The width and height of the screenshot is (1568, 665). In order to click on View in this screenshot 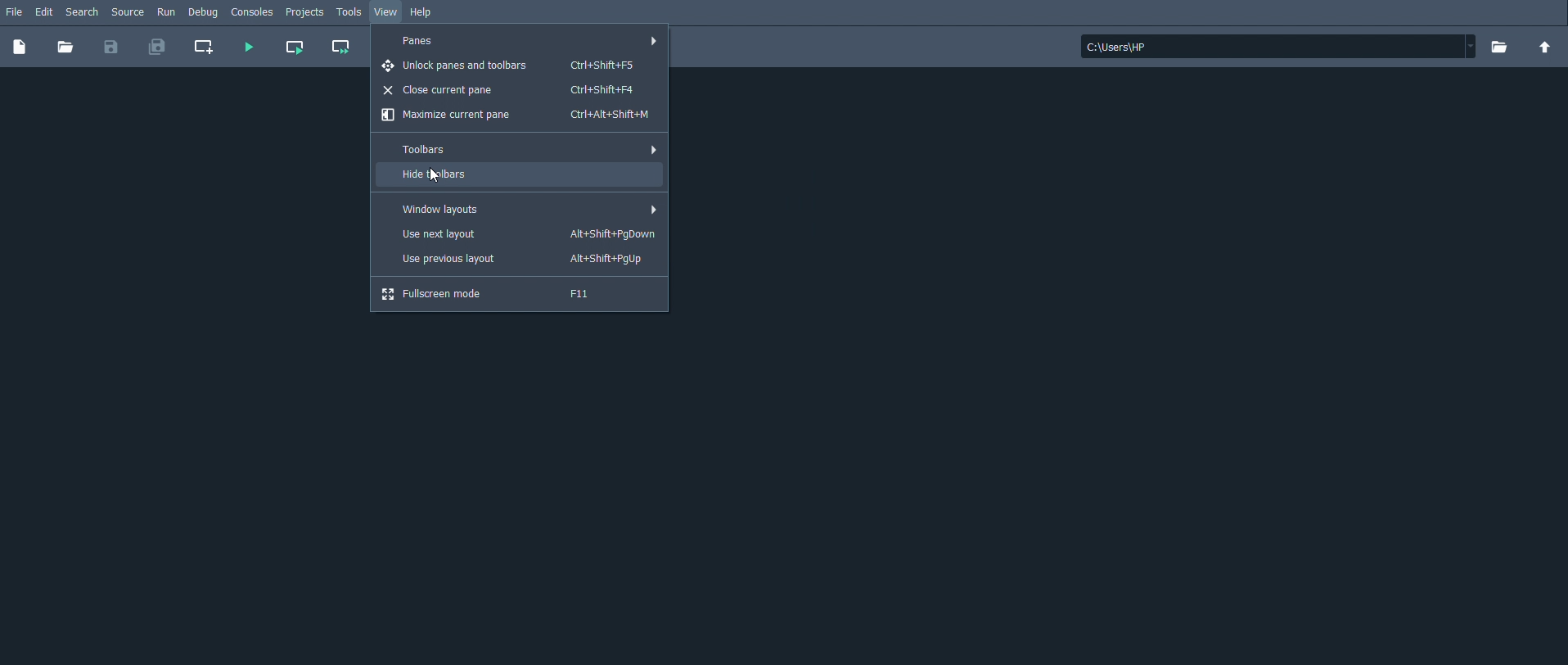, I will do `click(388, 12)`.